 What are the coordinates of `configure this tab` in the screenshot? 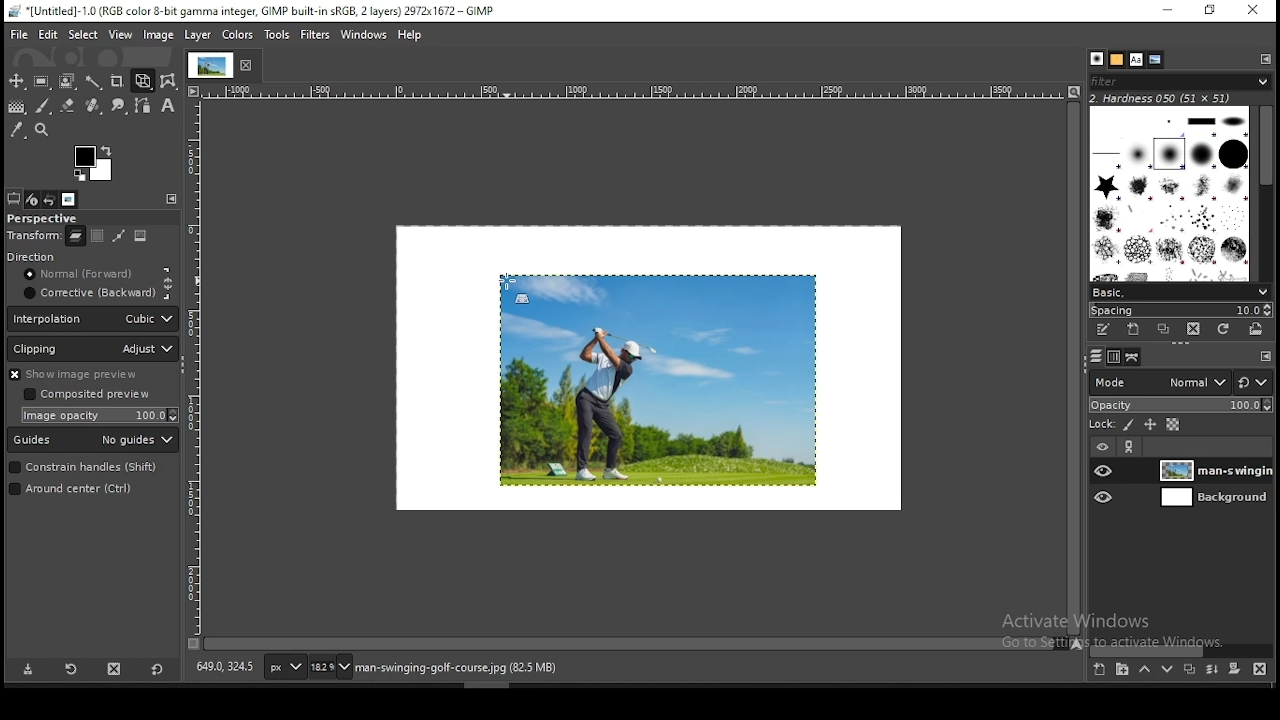 It's located at (1263, 355).